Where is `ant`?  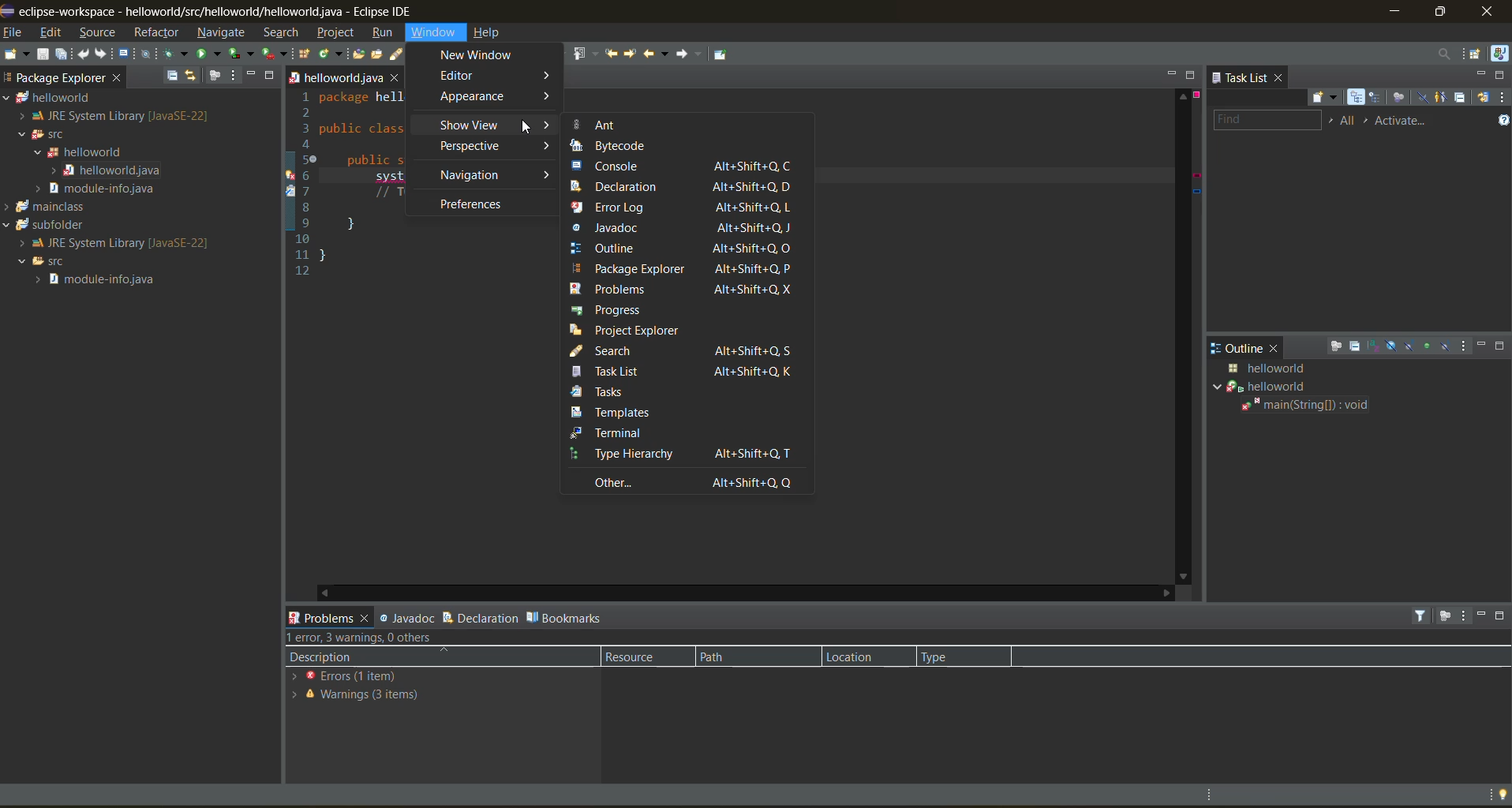
ant is located at coordinates (608, 125).